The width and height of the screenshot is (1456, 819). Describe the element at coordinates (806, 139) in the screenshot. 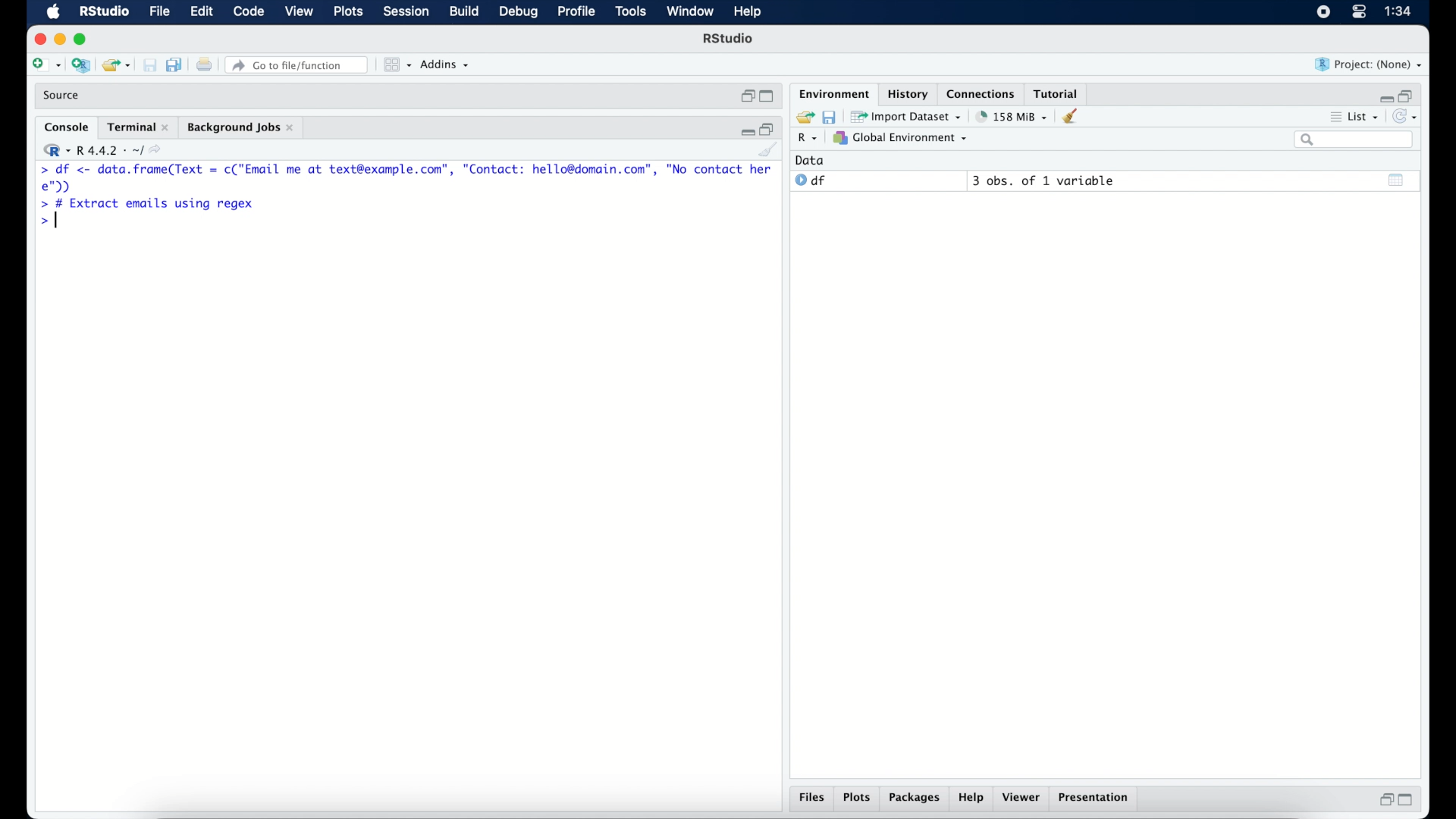

I see `R` at that location.